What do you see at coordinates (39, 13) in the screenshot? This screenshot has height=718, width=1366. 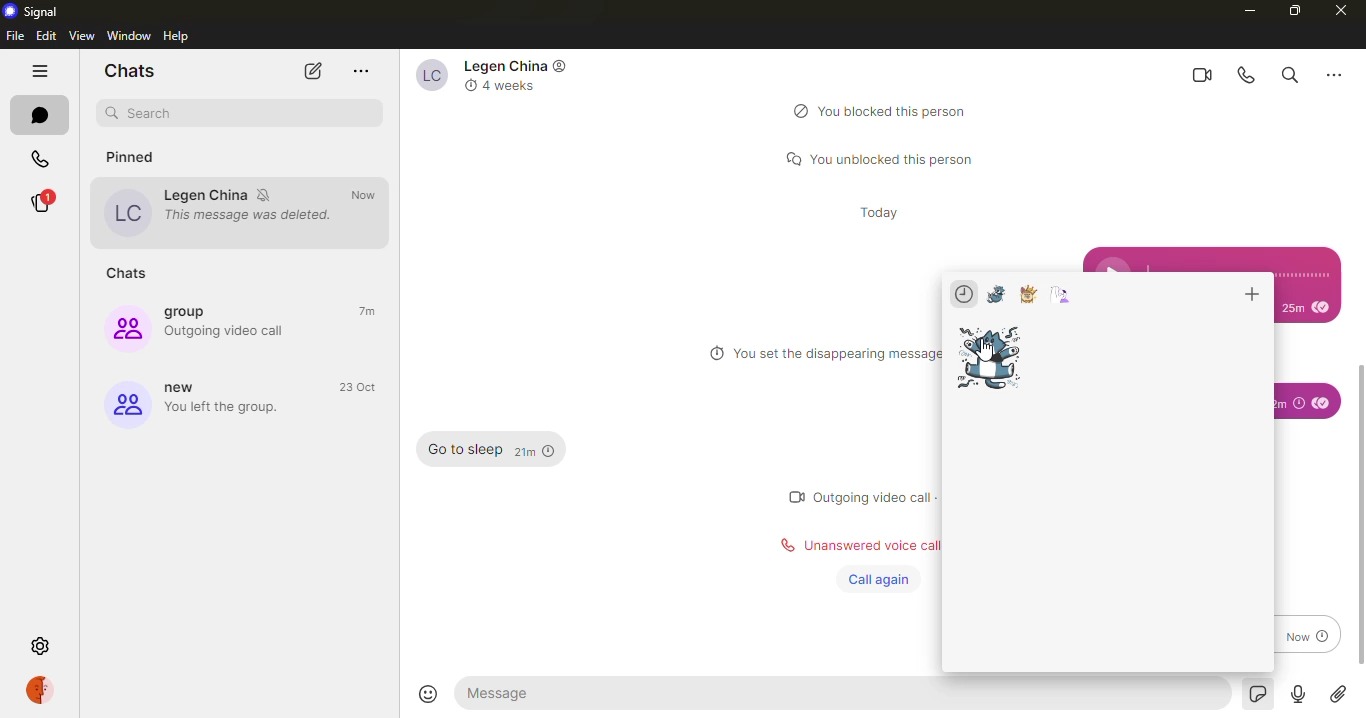 I see `signal` at bounding box center [39, 13].